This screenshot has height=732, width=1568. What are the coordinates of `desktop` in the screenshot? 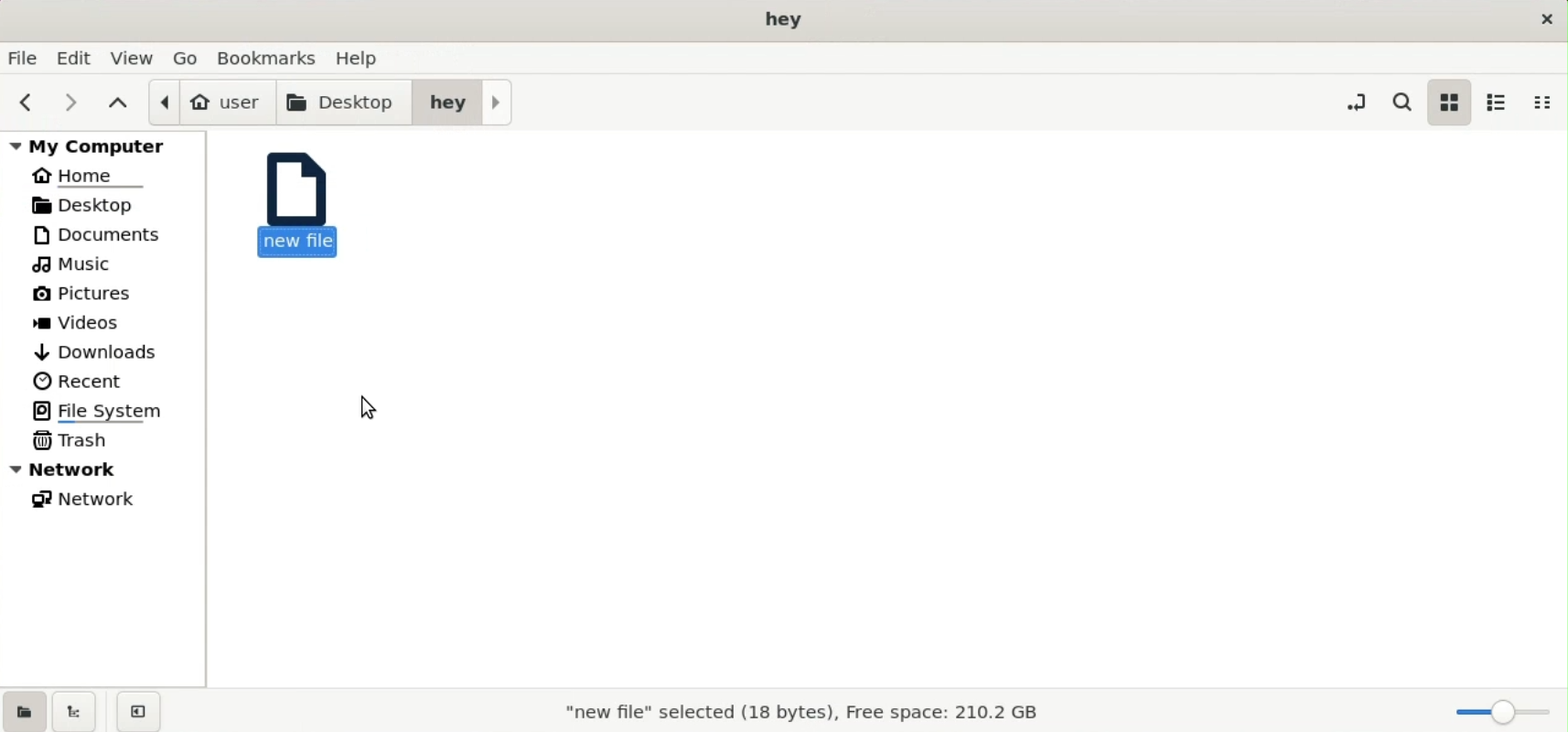 It's located at (98, 204).